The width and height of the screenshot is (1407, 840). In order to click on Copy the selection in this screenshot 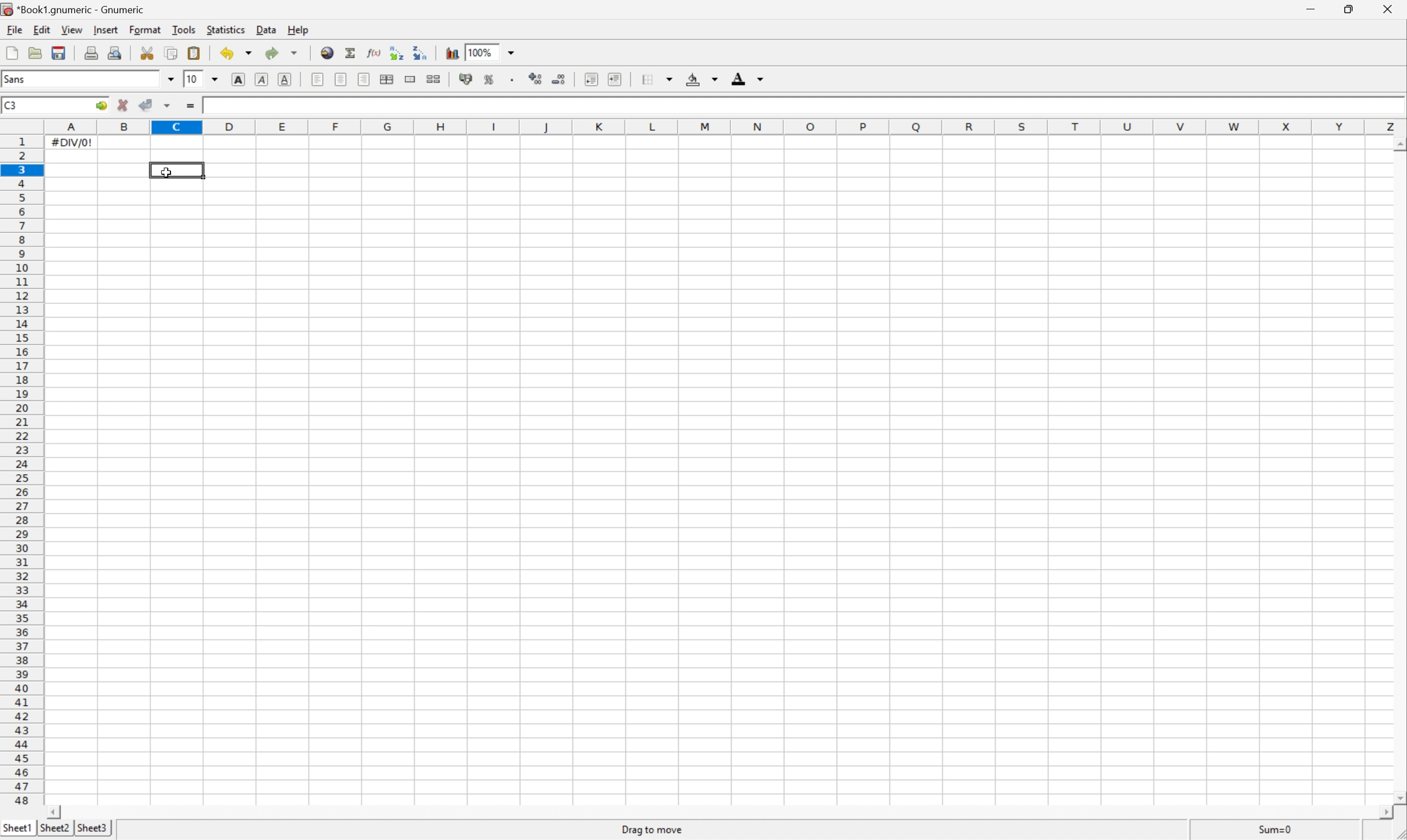, I will do `click(173, 53)`.